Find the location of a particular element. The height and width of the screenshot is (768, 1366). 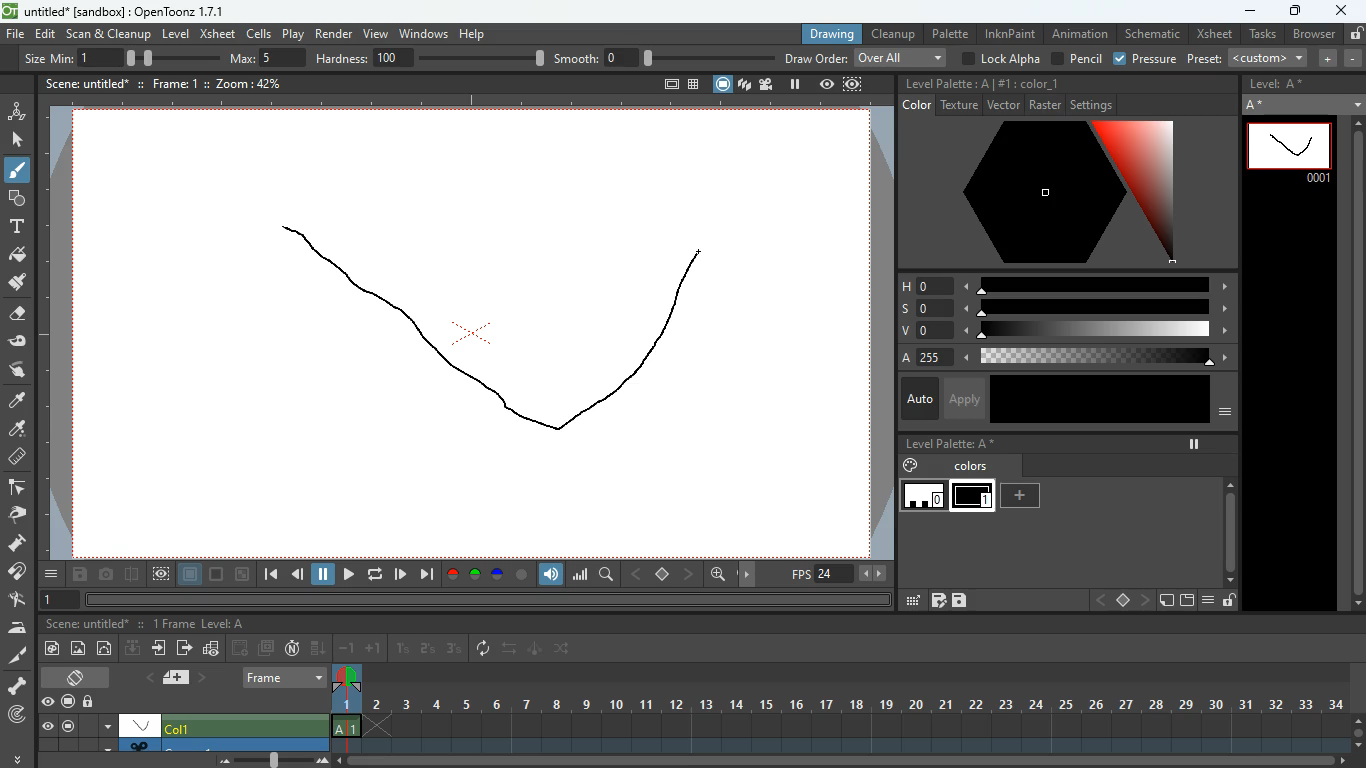

click is located at coordinates (19, 140).